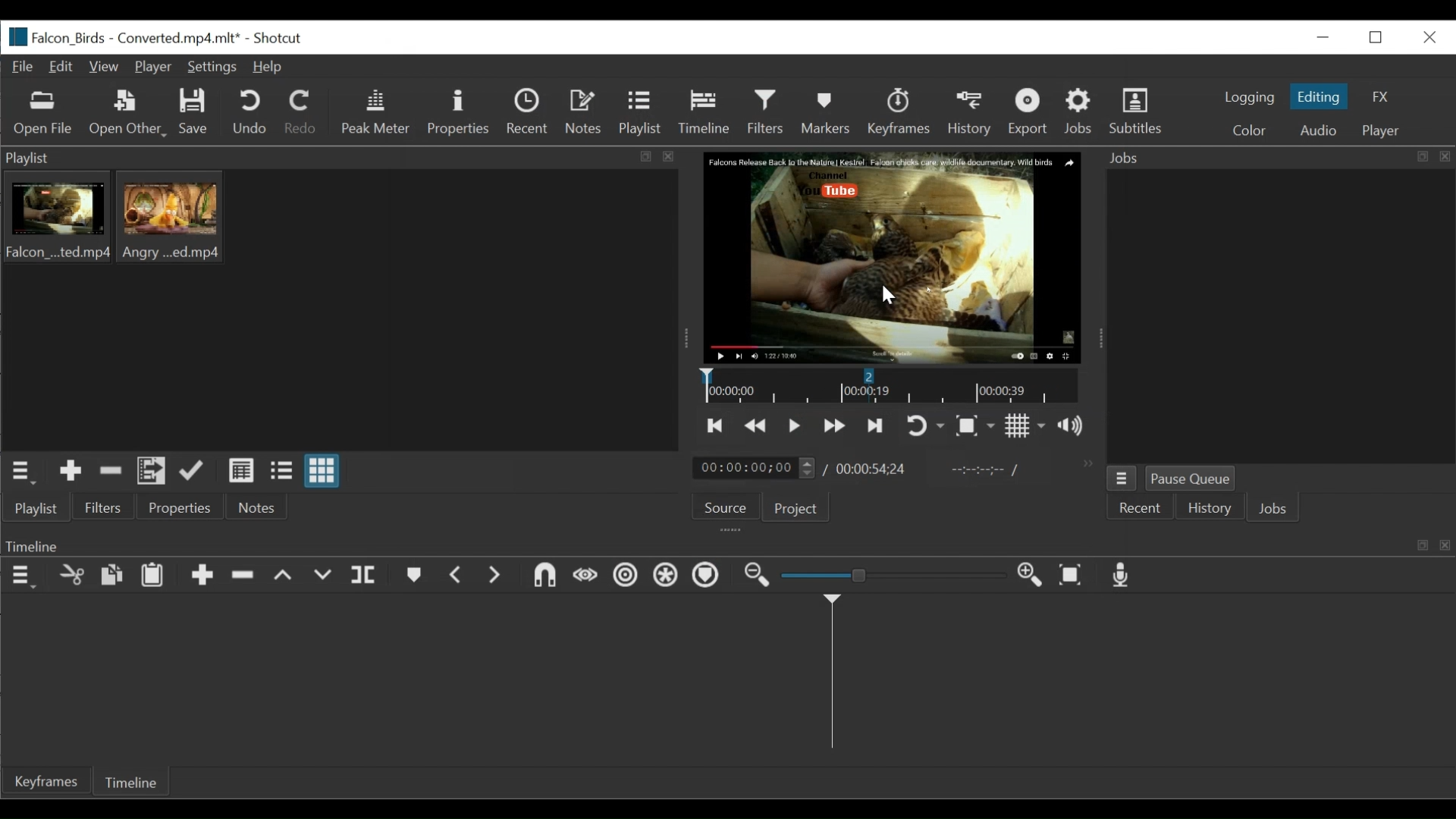  I want to click on Paste, so click(152, 576).